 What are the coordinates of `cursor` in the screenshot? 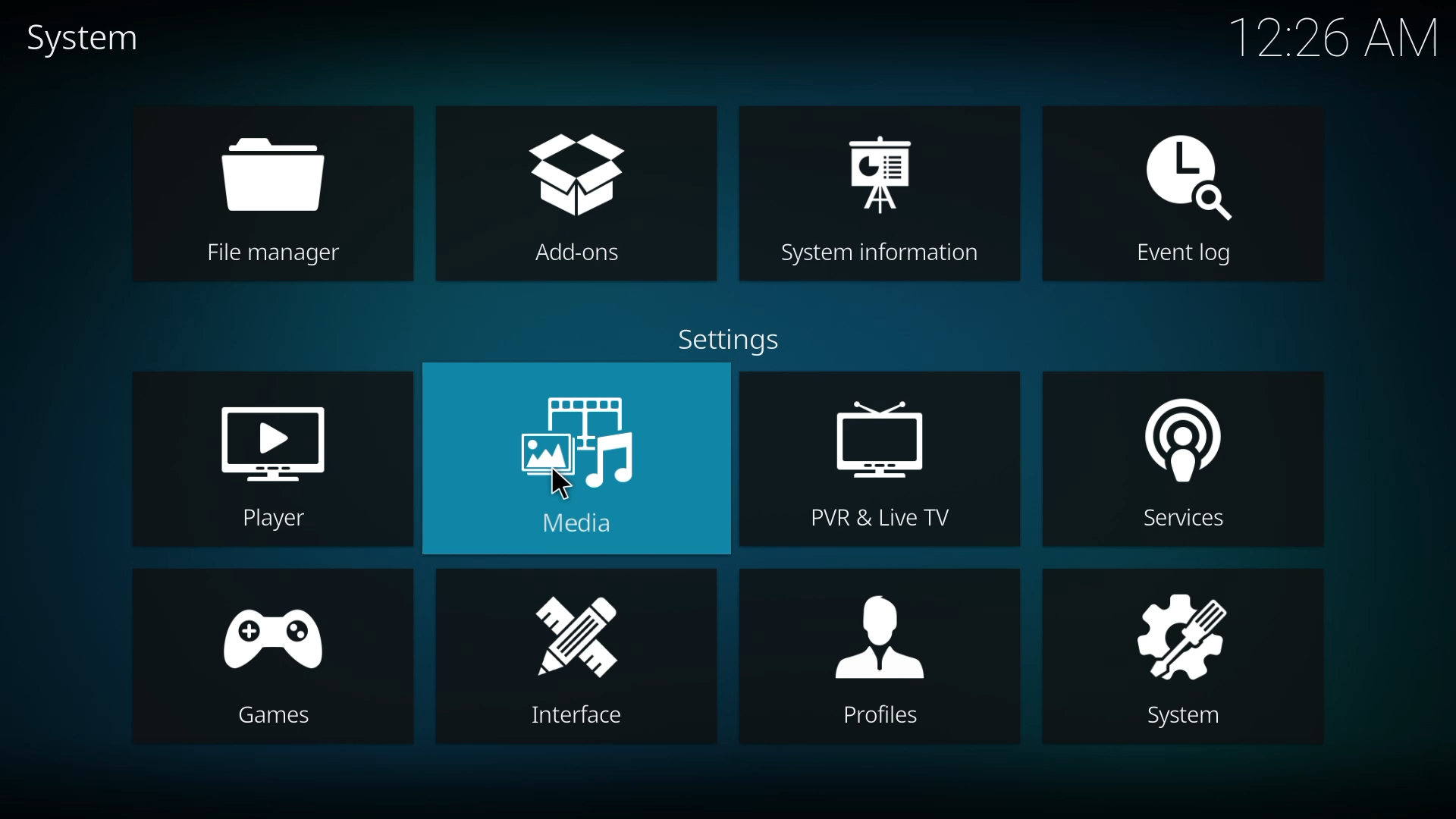 It's located at (562, 485).